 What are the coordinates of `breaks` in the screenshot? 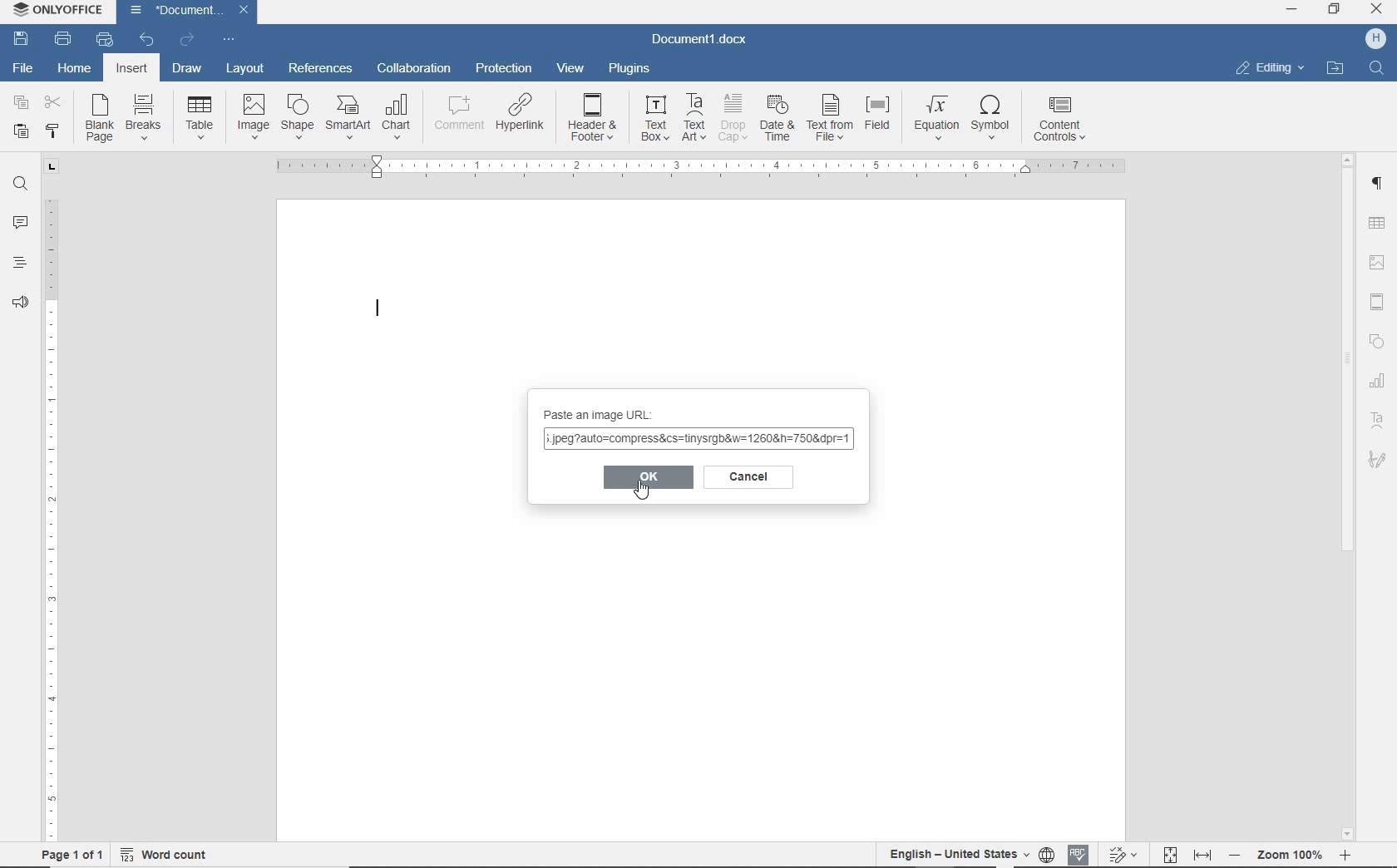 It's located at (141, 120).